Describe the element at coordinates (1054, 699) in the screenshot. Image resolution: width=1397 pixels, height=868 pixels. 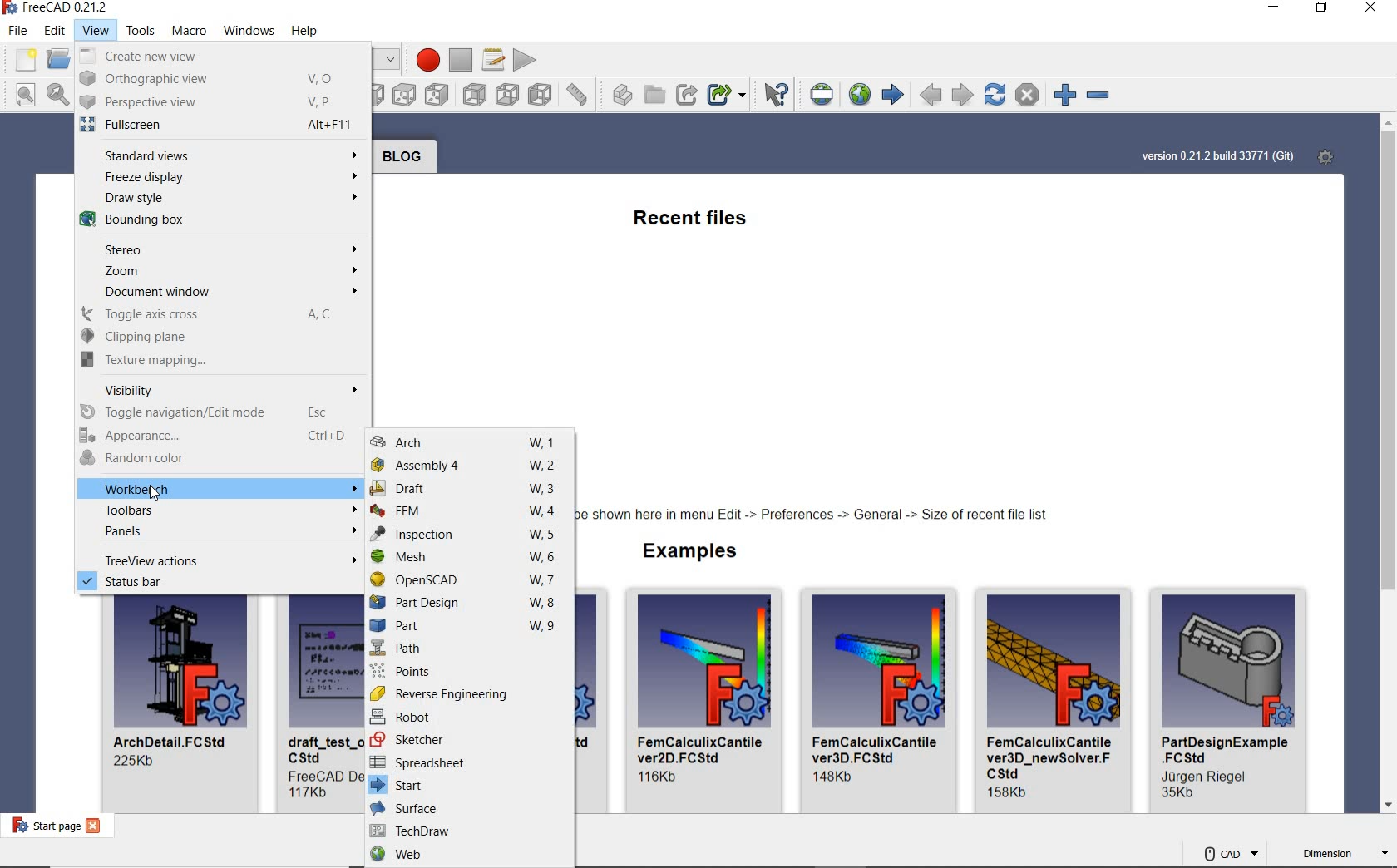
I see `FemCalculixCantile_newSolver` at that location.